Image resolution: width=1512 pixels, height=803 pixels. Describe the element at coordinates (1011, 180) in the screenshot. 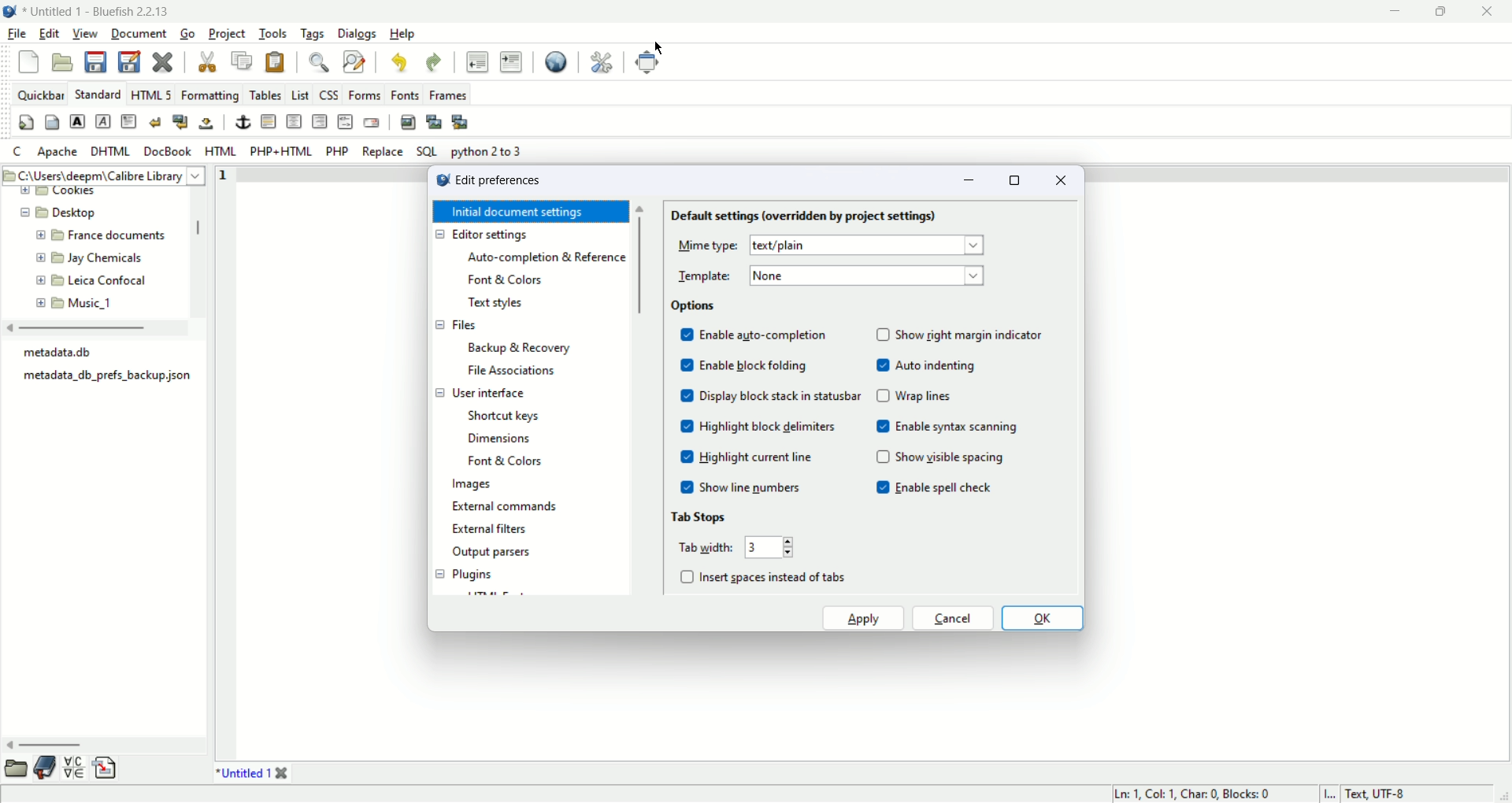

I see `maximize` at that location.